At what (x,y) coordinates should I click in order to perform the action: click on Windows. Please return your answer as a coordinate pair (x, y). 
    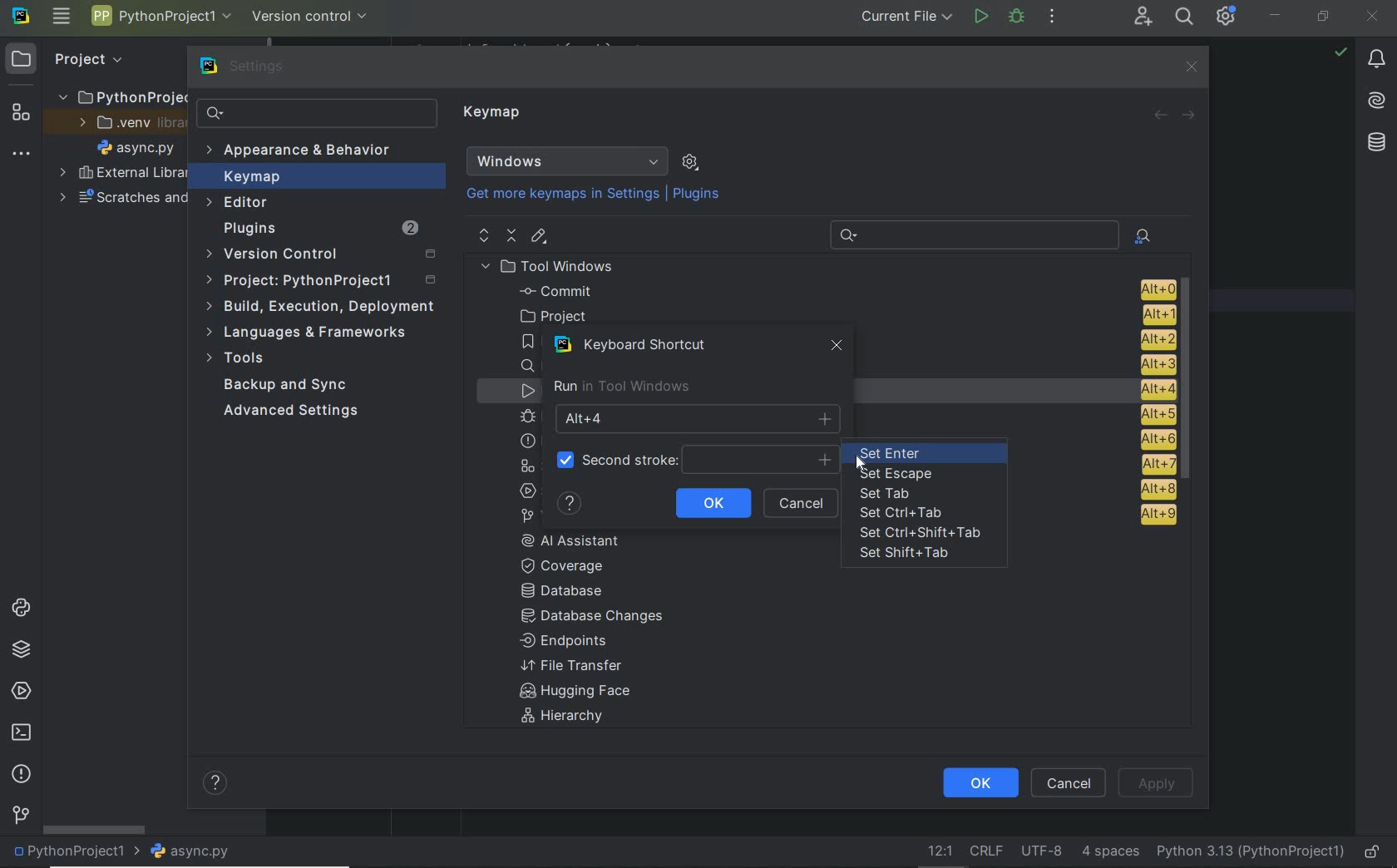
    Looking at the image, I should click on (567, 161).